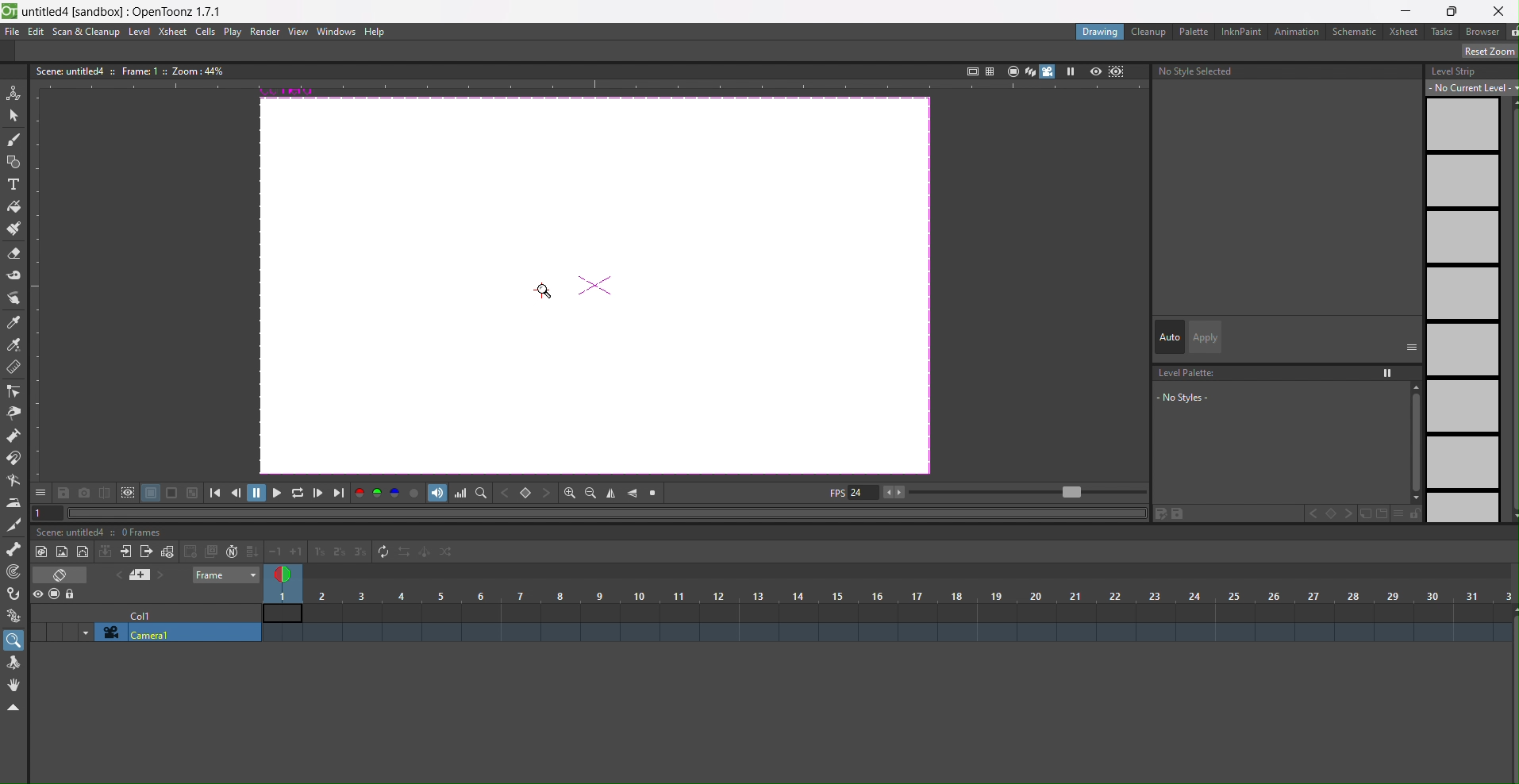  I want to click on scan&cleanup, so click(87, 33).